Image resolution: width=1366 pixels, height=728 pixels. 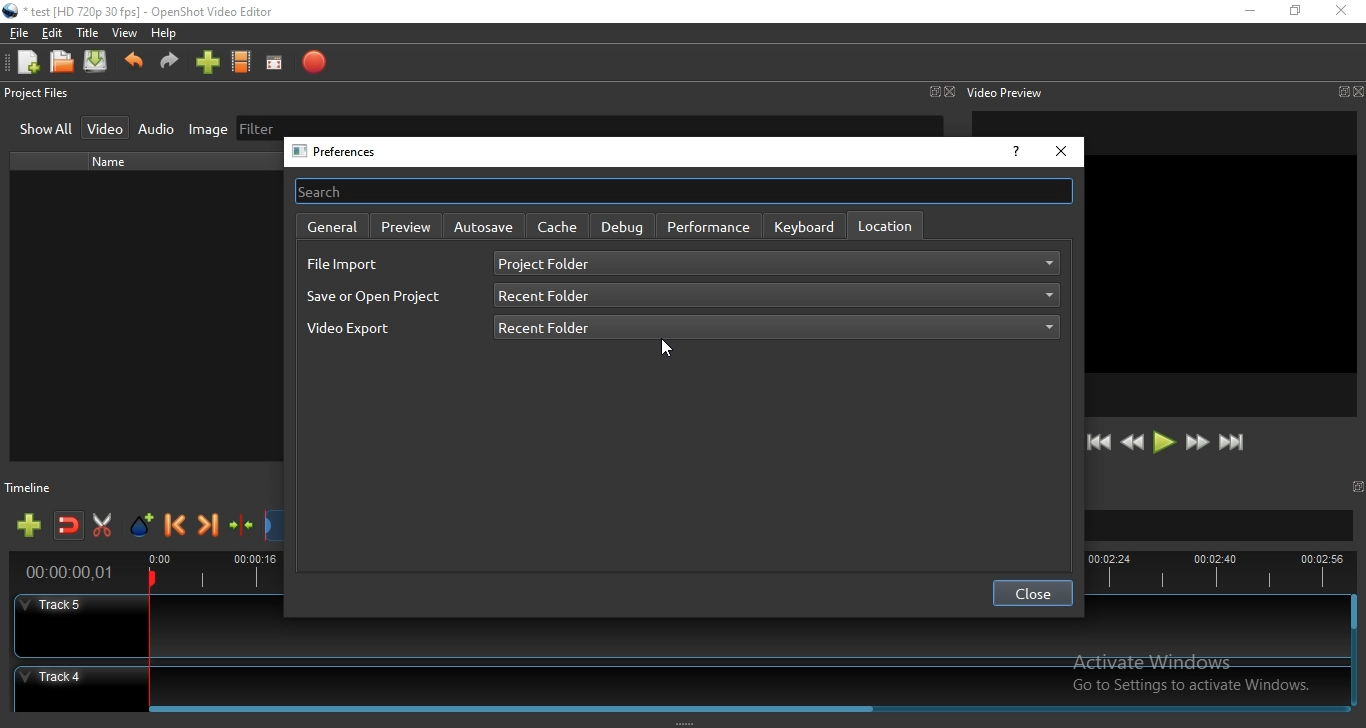 I want to click on Jump to start, so click(x=1099, y=443).